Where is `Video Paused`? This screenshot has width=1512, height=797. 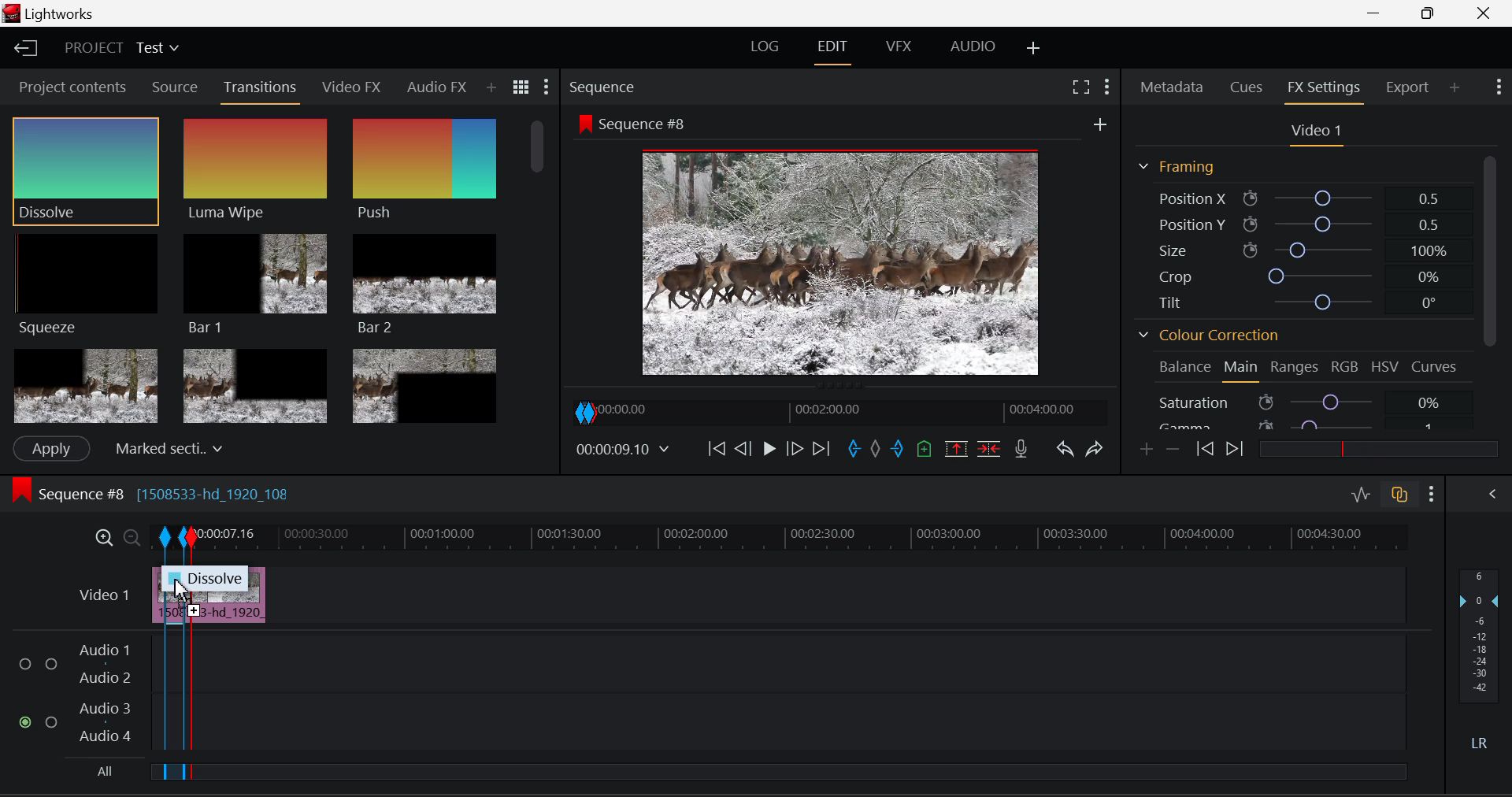 Video Paused is located at coordinates (767, 450).